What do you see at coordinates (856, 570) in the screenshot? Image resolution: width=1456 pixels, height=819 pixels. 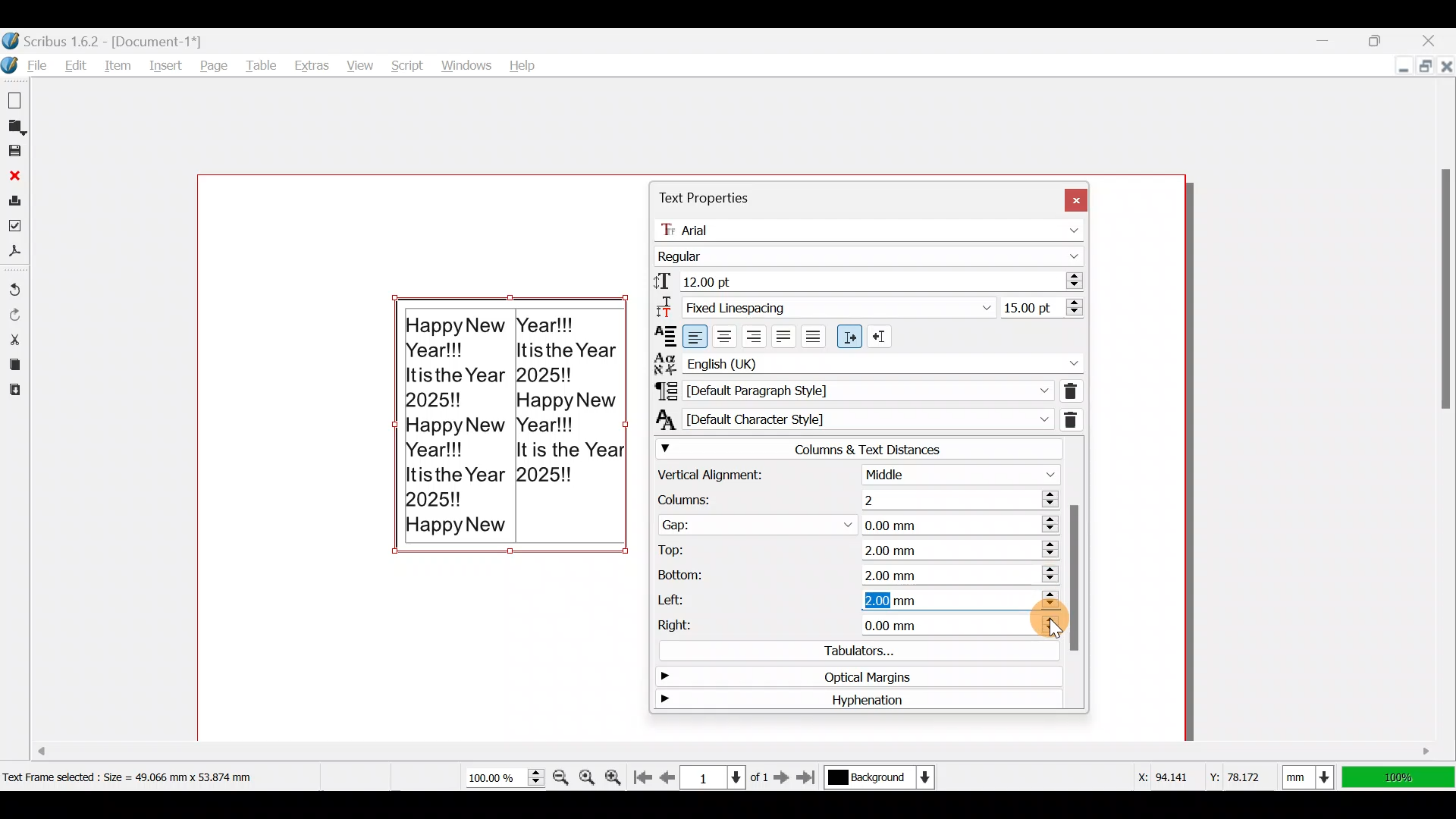 I see `Bottom` at bounding box center [856, 570].